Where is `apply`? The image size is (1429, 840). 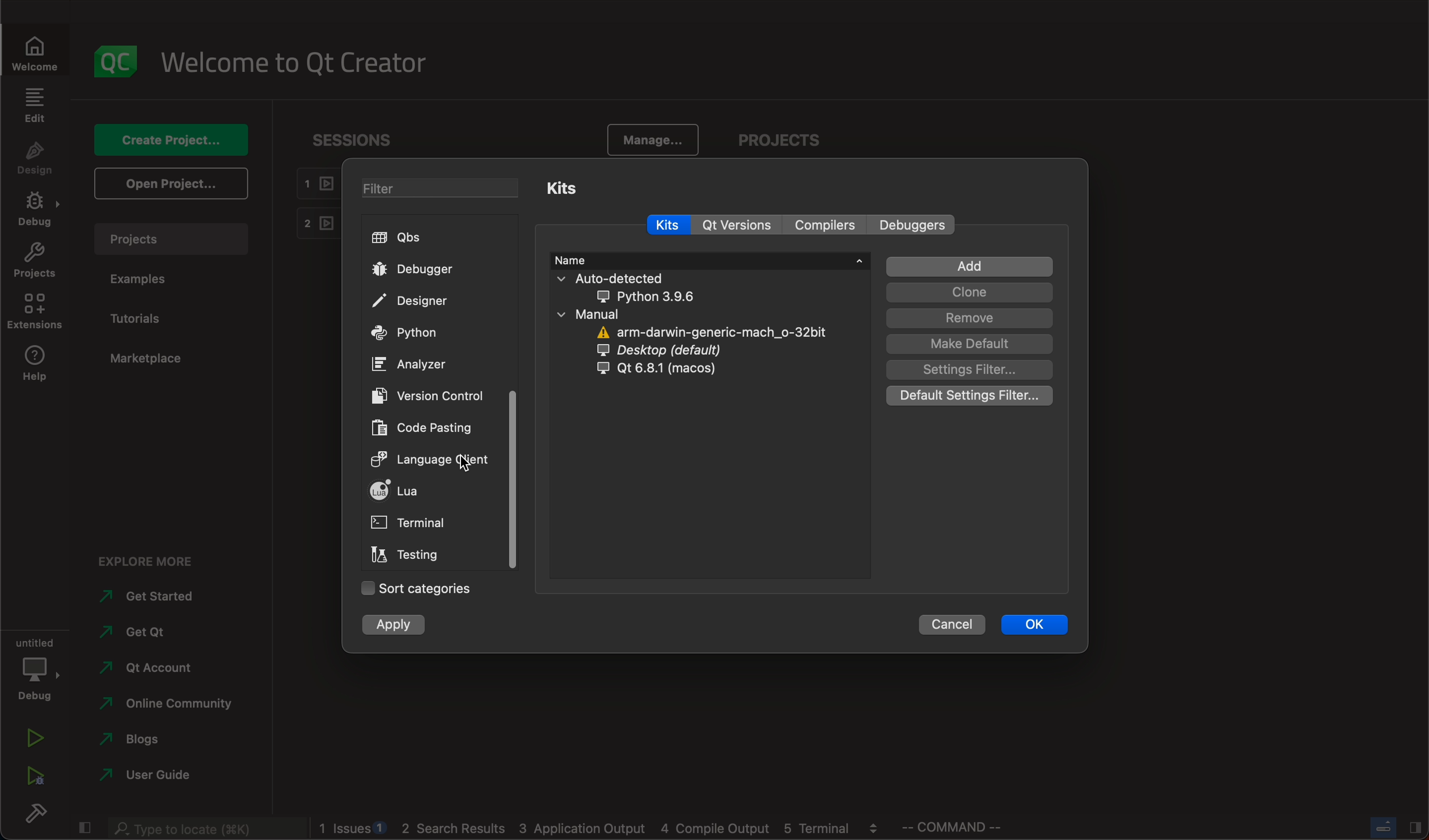 apply is located at coordinates (400, 624).